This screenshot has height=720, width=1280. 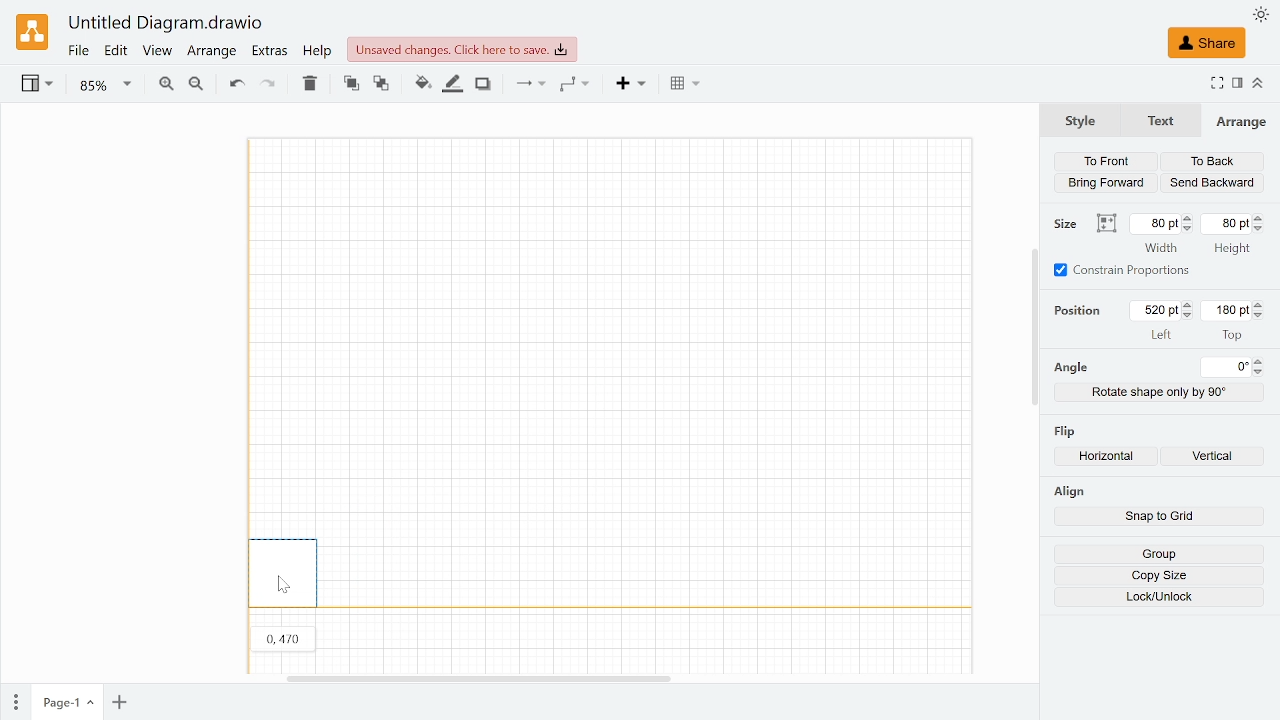 What do you see at coordinates (1228, 223) in the screenshot?
I see `Current height` at bounding box center [1228, 223].